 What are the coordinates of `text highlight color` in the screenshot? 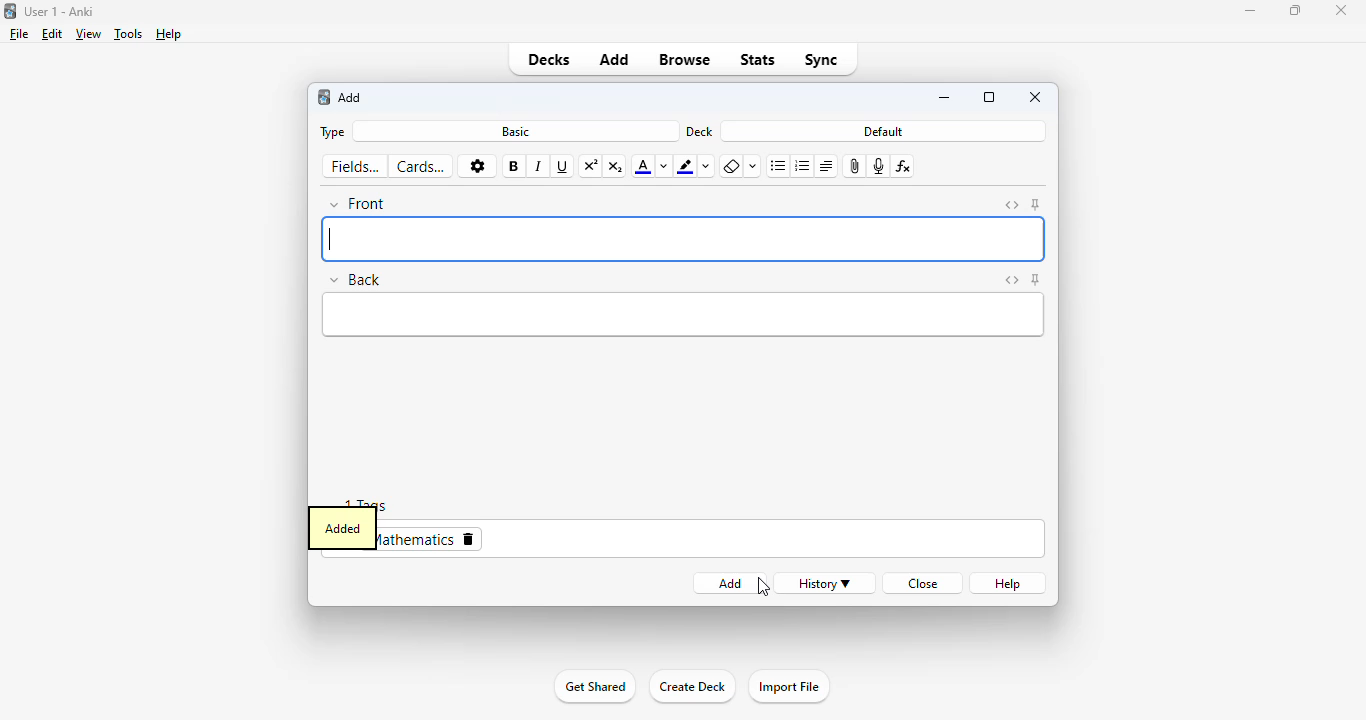 It's located at (686, 166).